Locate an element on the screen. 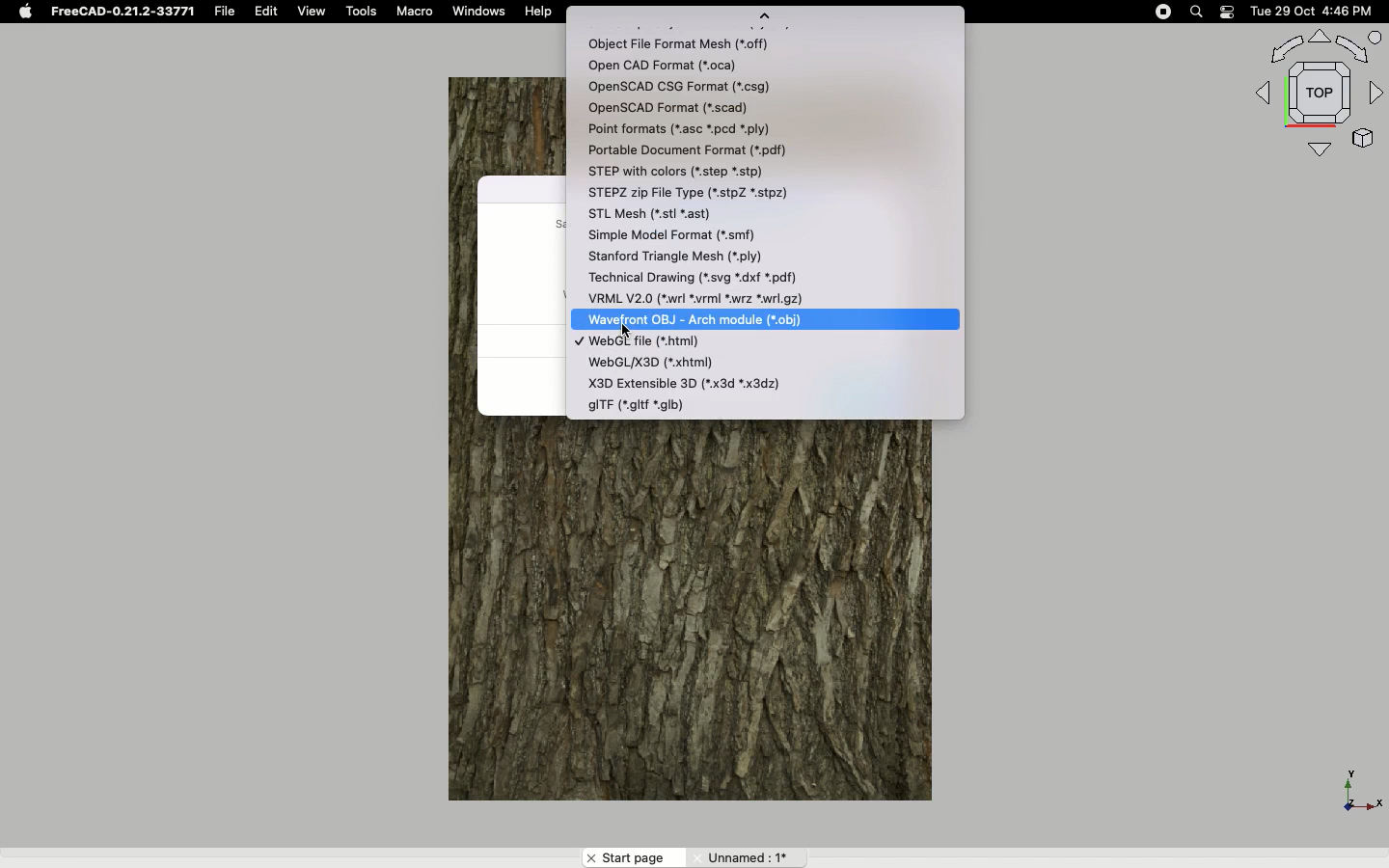  Axis is located at coordinates (1357, 786).